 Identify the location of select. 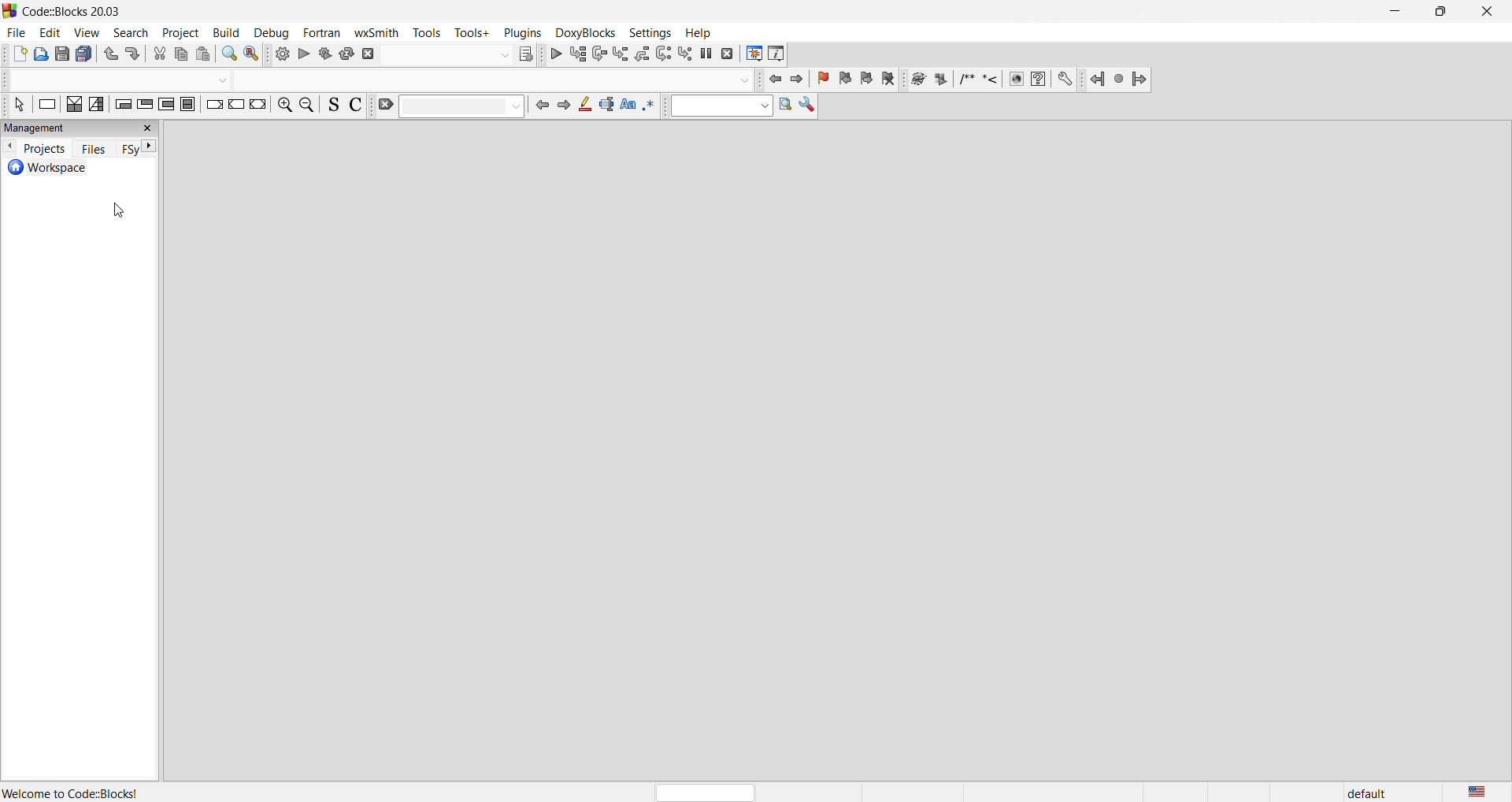
(21, 106).